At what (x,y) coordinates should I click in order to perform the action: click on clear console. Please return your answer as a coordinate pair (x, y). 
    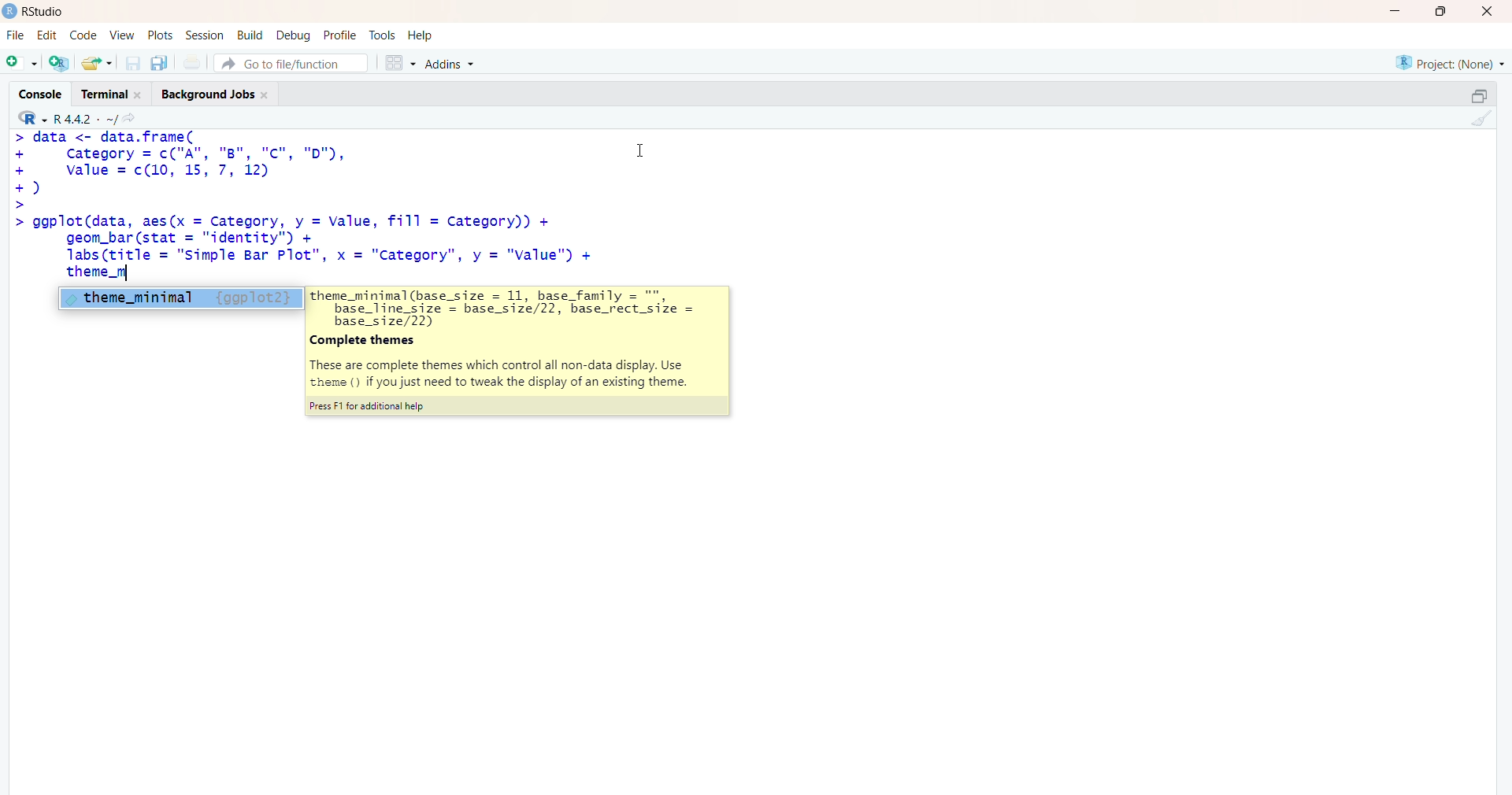
    Looking at the image, I should click on (1479, 118).